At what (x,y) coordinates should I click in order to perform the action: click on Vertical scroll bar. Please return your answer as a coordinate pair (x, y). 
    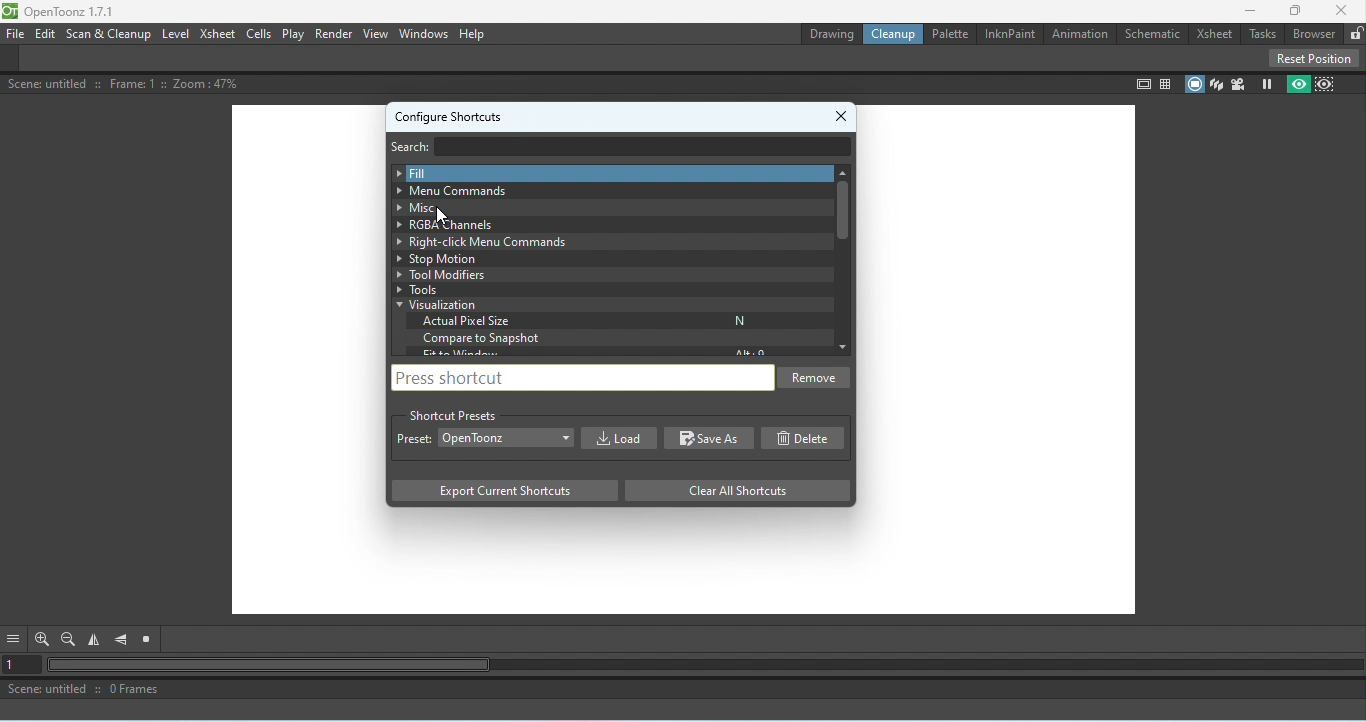
    Looking at the image, I should click on (841, 259).